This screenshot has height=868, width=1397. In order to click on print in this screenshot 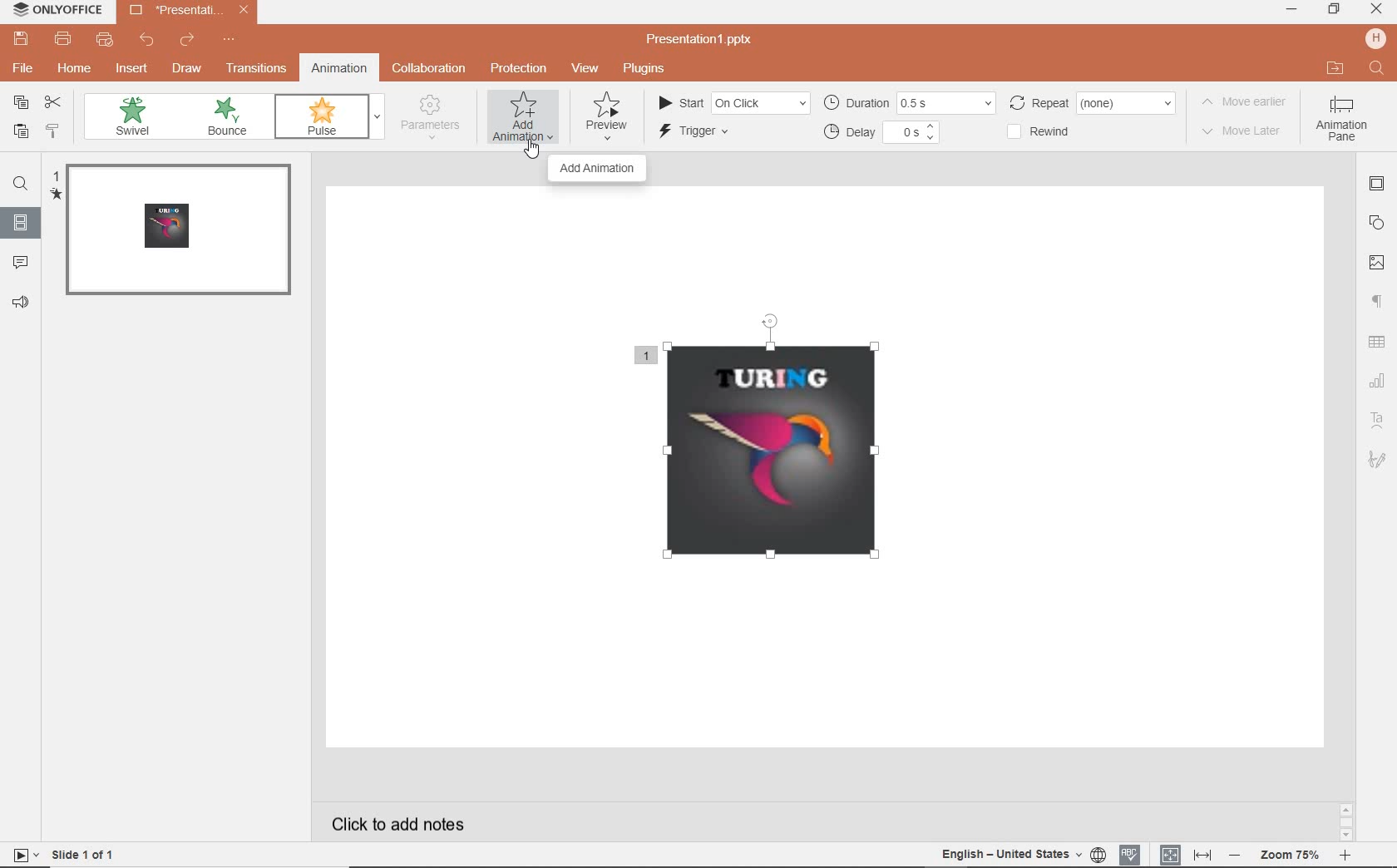, I will do `click(62, 38)`.